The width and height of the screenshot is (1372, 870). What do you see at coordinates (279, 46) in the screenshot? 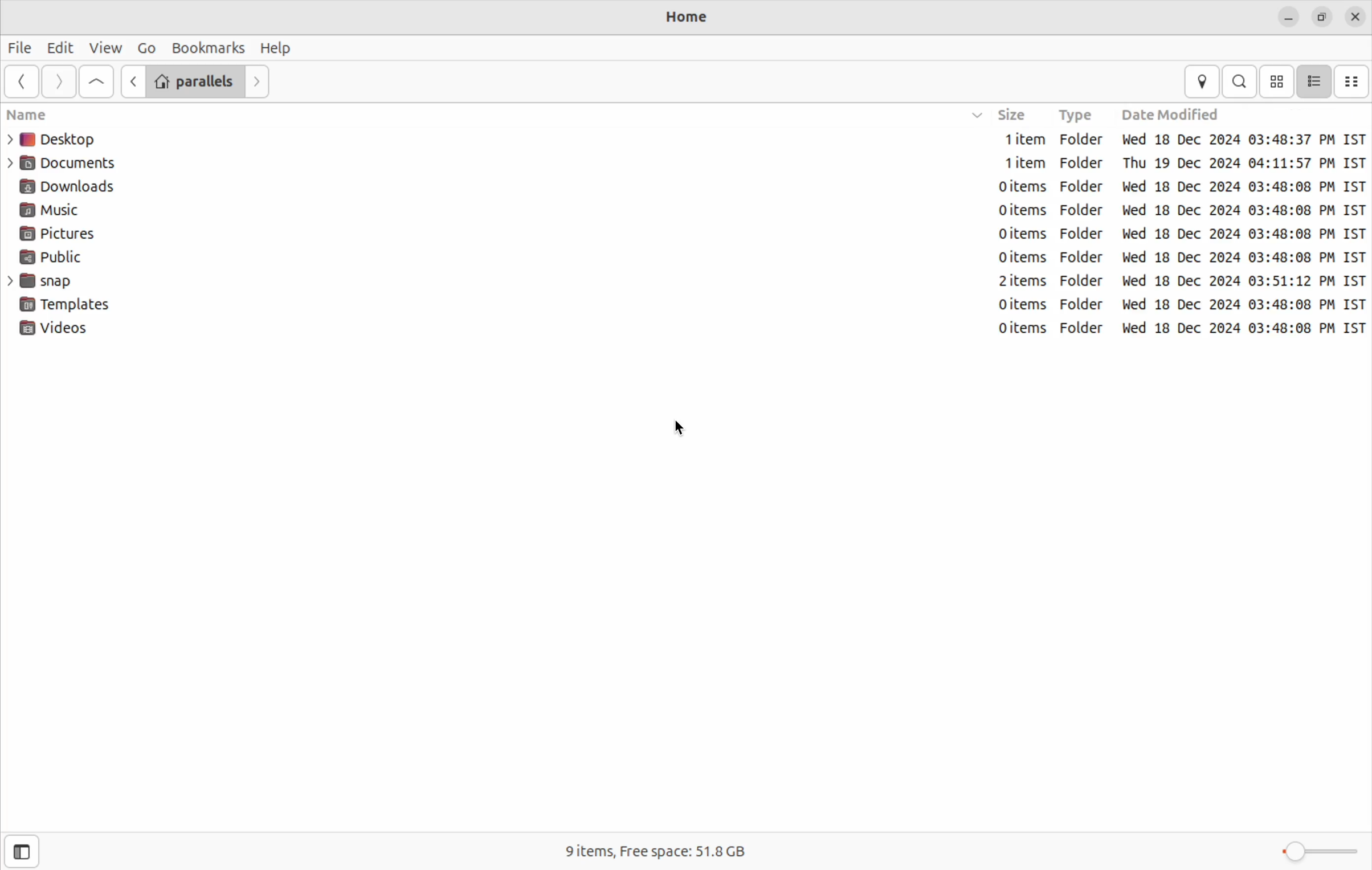
I see `Help` at bounding box center [279, 46].